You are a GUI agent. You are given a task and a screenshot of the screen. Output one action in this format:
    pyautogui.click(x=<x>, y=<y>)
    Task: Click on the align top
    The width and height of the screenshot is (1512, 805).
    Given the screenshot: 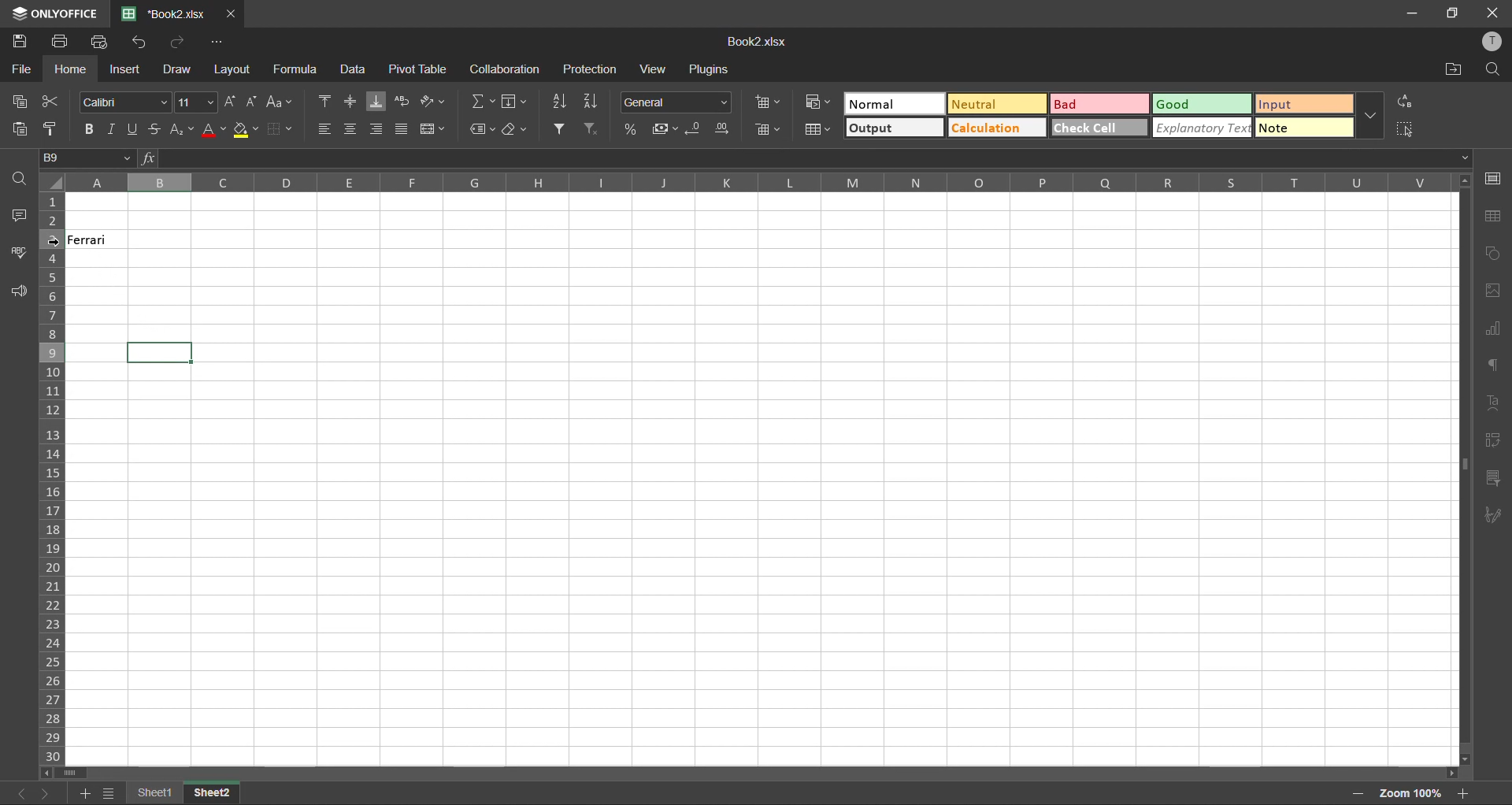 What is the action you would take?
    pyautogui.click(x=324, y=101)
    